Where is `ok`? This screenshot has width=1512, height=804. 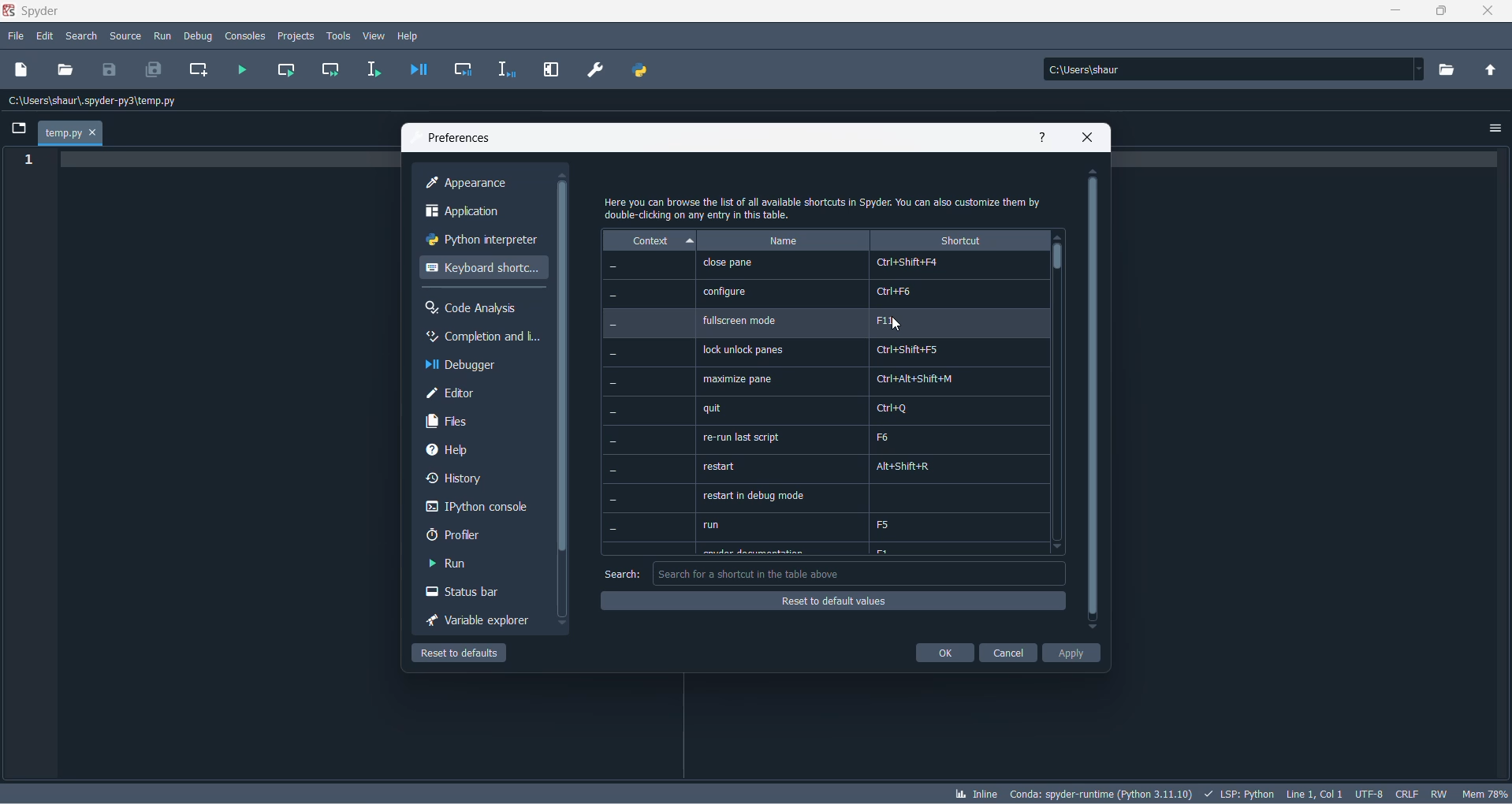 ok is located at coordinates (945, 653).